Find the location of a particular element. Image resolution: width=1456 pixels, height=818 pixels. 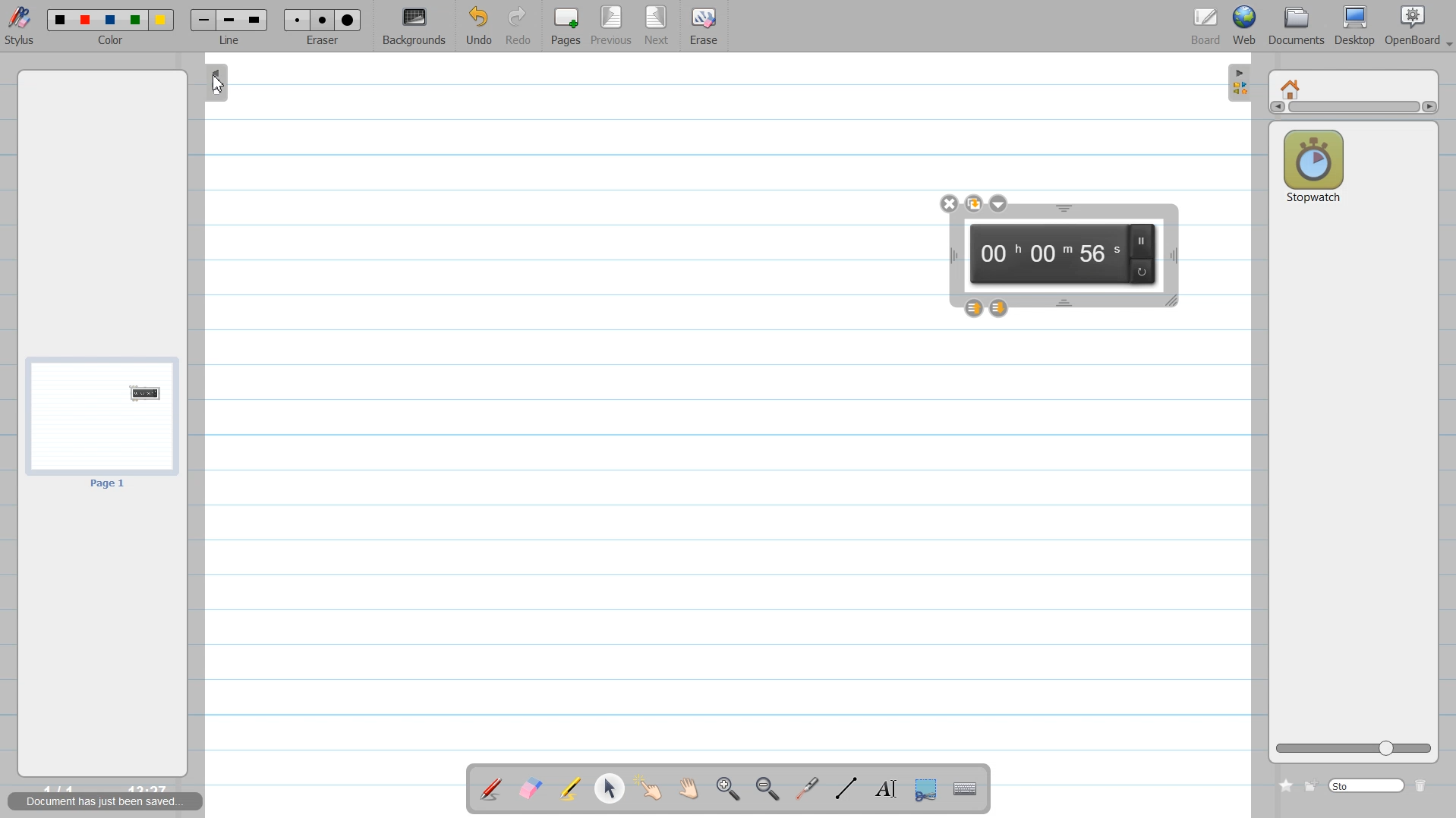

Desktop is located at coordinates (1357, 26).